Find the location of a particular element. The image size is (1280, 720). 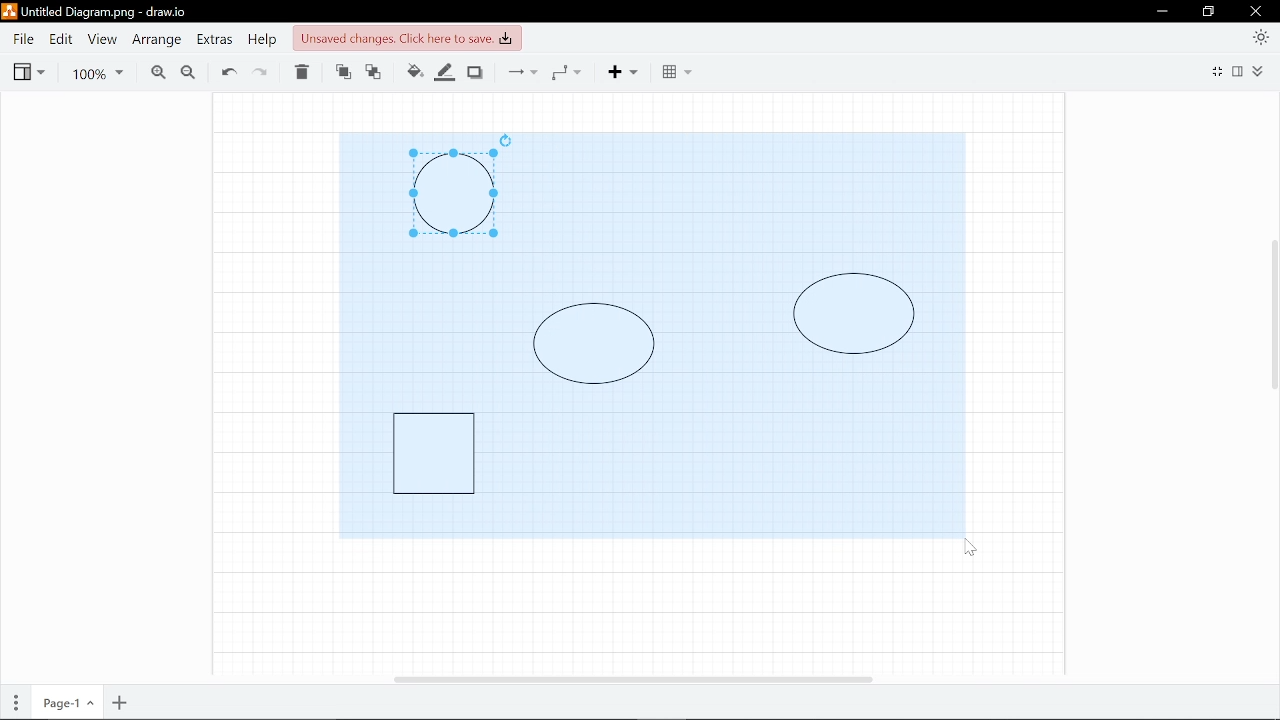

View is located at coordinates (28, 70).